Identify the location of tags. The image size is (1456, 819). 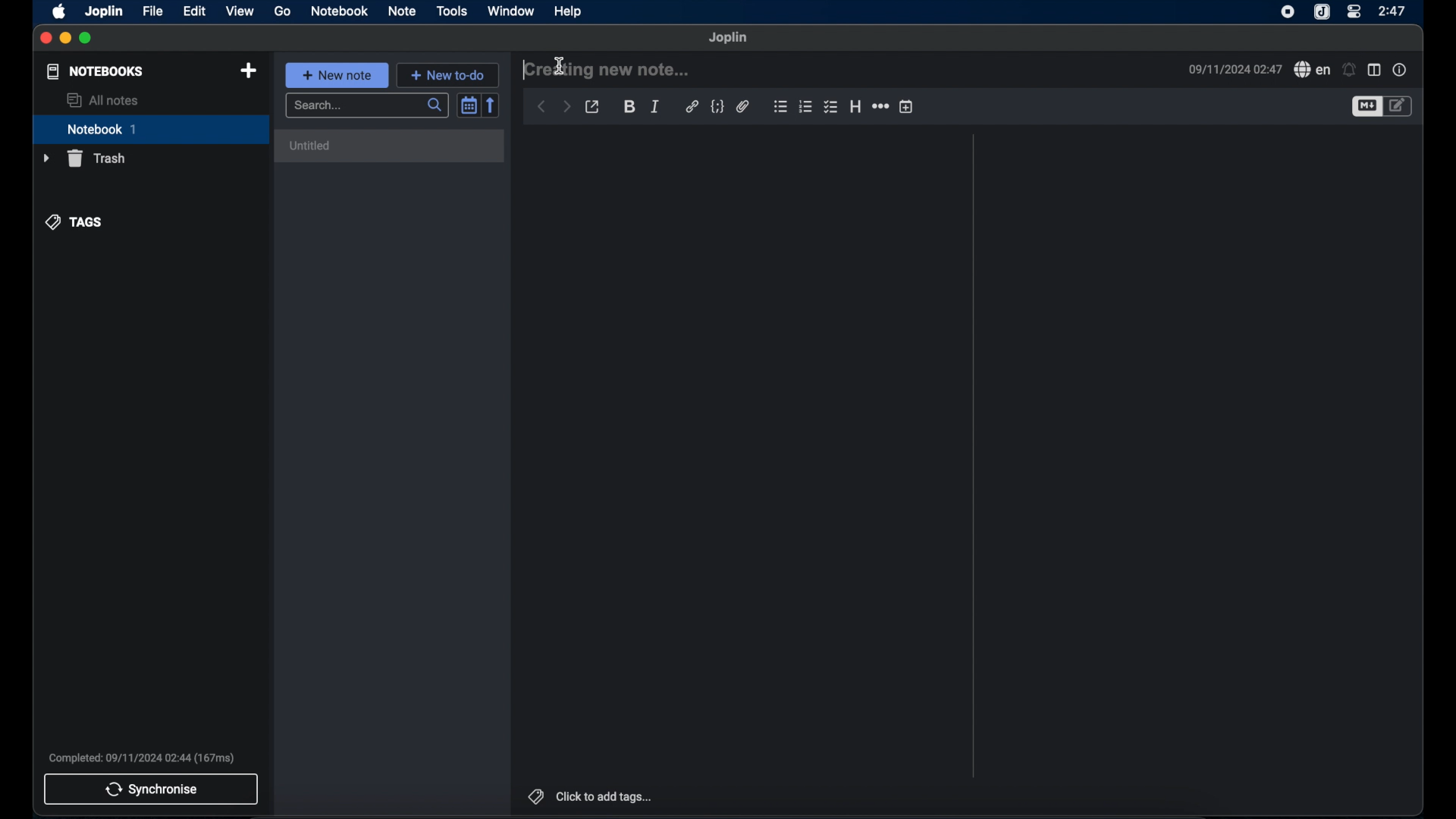
(73, 221).